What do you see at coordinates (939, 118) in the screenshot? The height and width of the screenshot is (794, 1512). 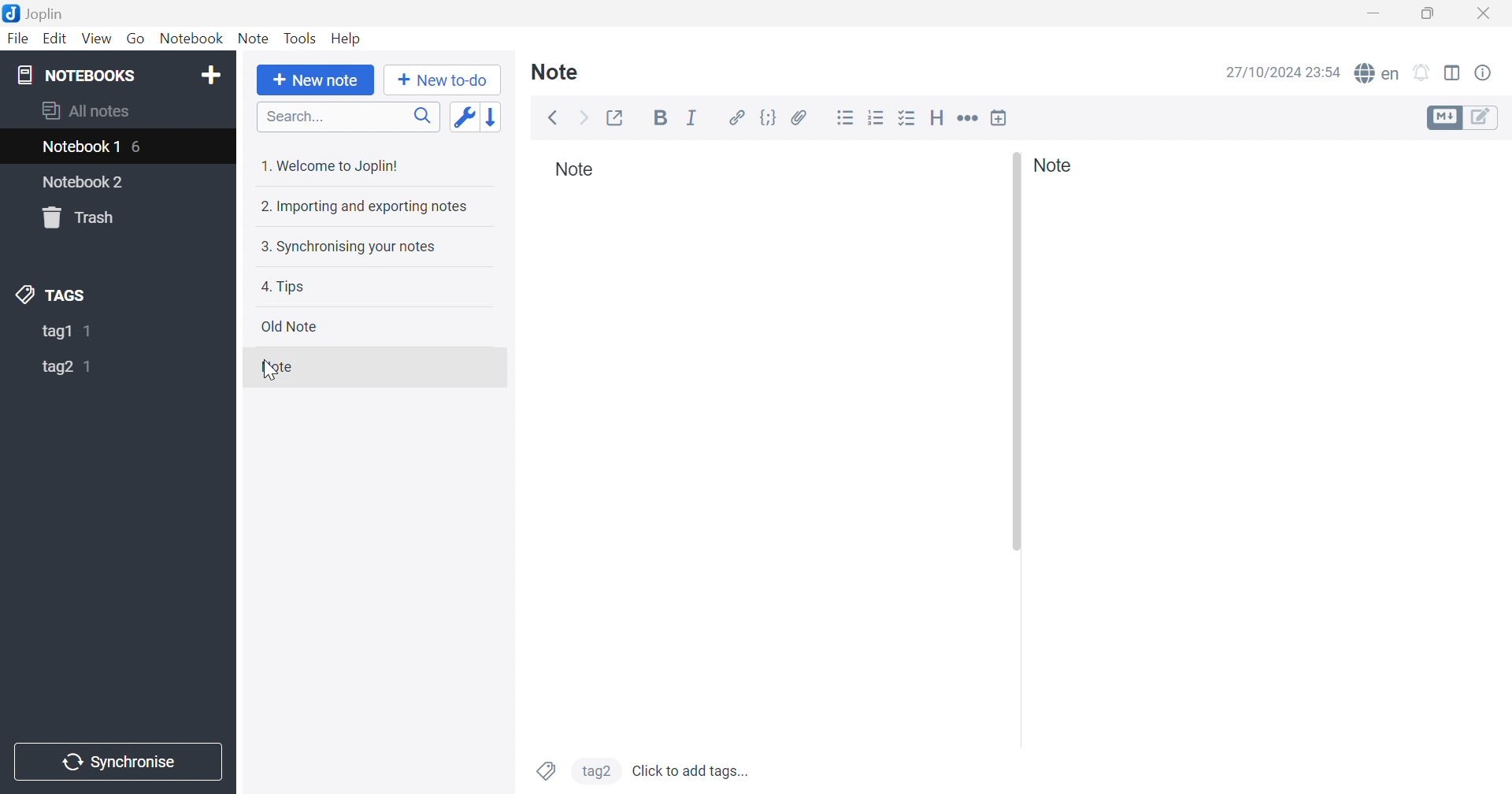 I see `Heading` at bounding box center [939, 118].